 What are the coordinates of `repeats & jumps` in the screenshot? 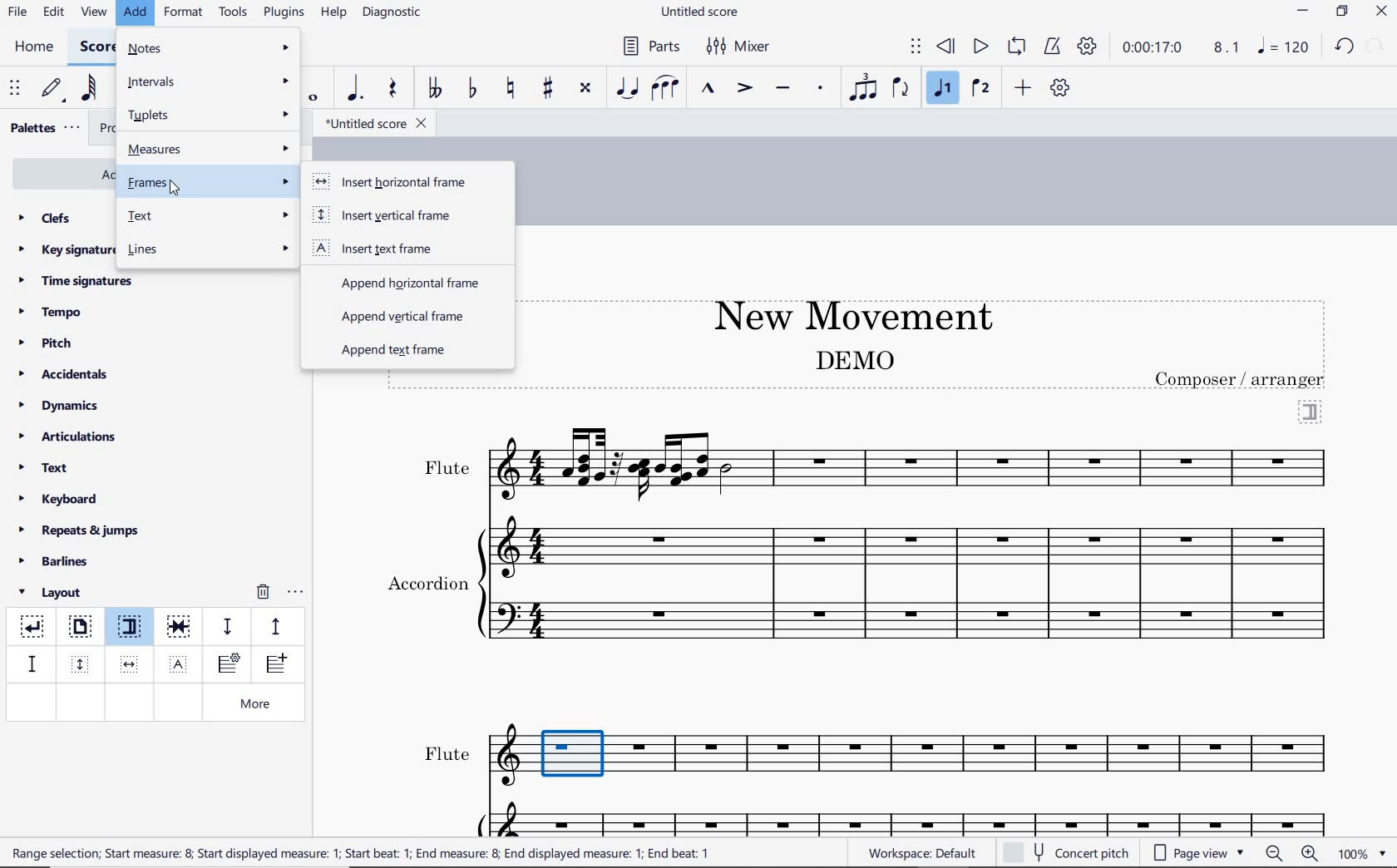 It's located at (79, 528).